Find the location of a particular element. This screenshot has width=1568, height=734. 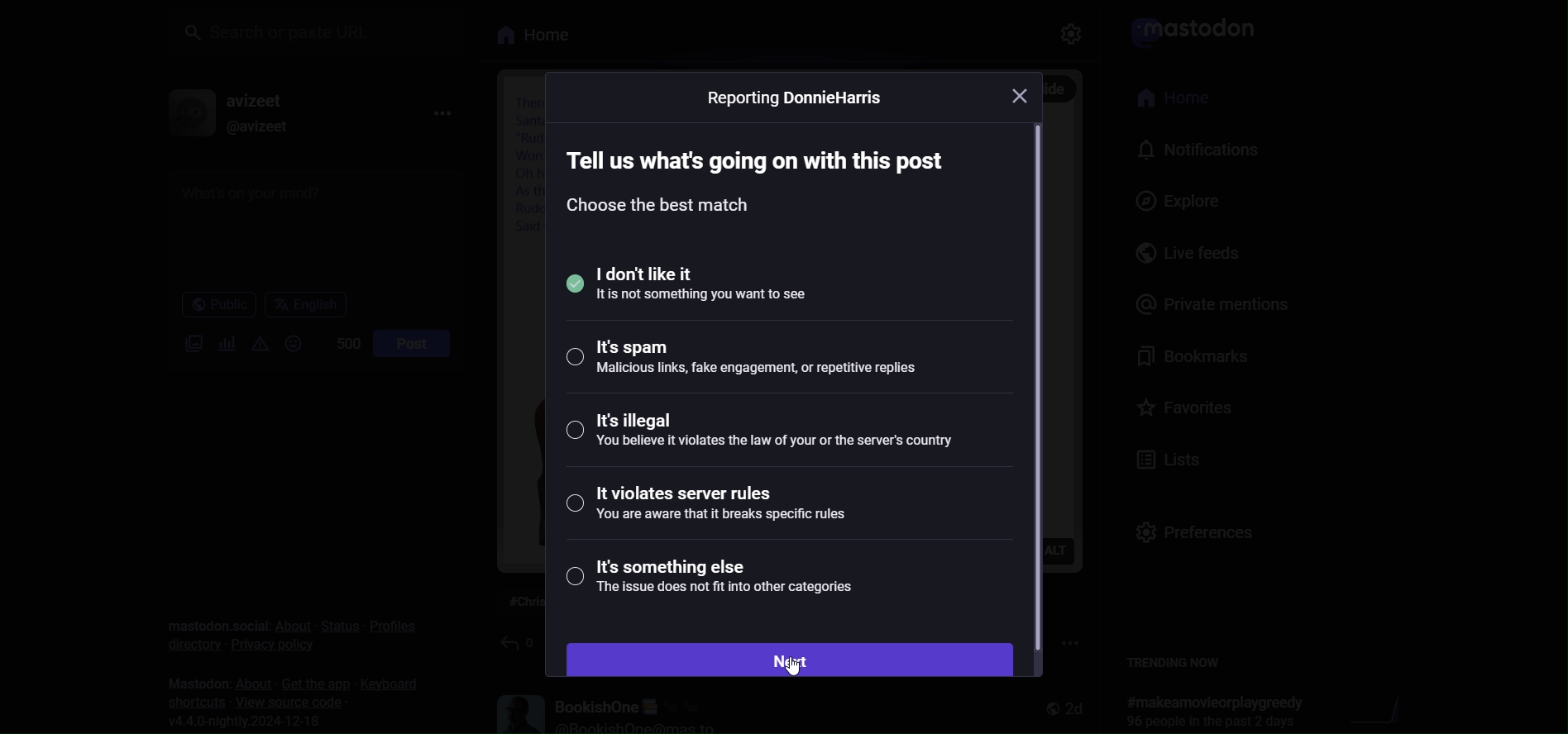

#makeamovieorplaygreedy
Ply, is located at coordinates (1210, 711).